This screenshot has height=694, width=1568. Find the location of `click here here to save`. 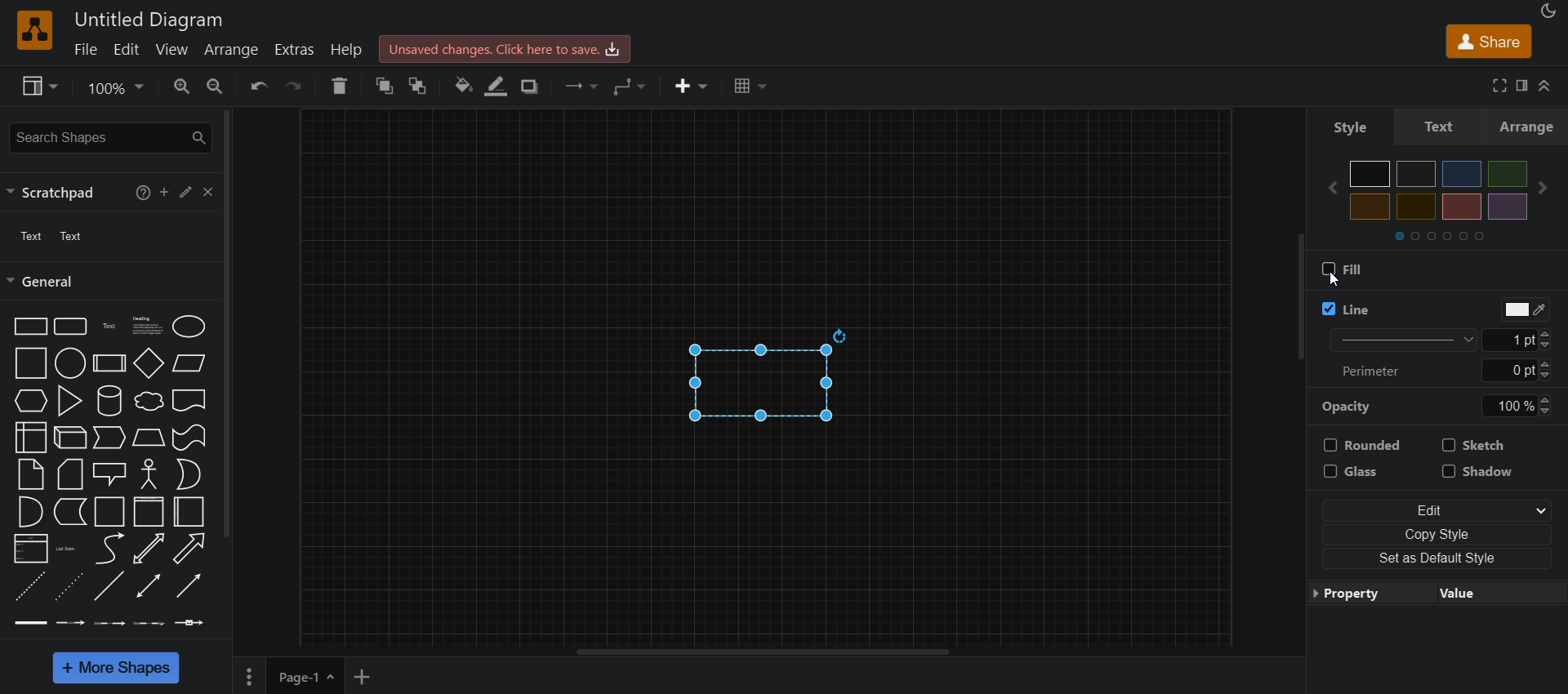

click here here to save is located at coordinates (506, 49).